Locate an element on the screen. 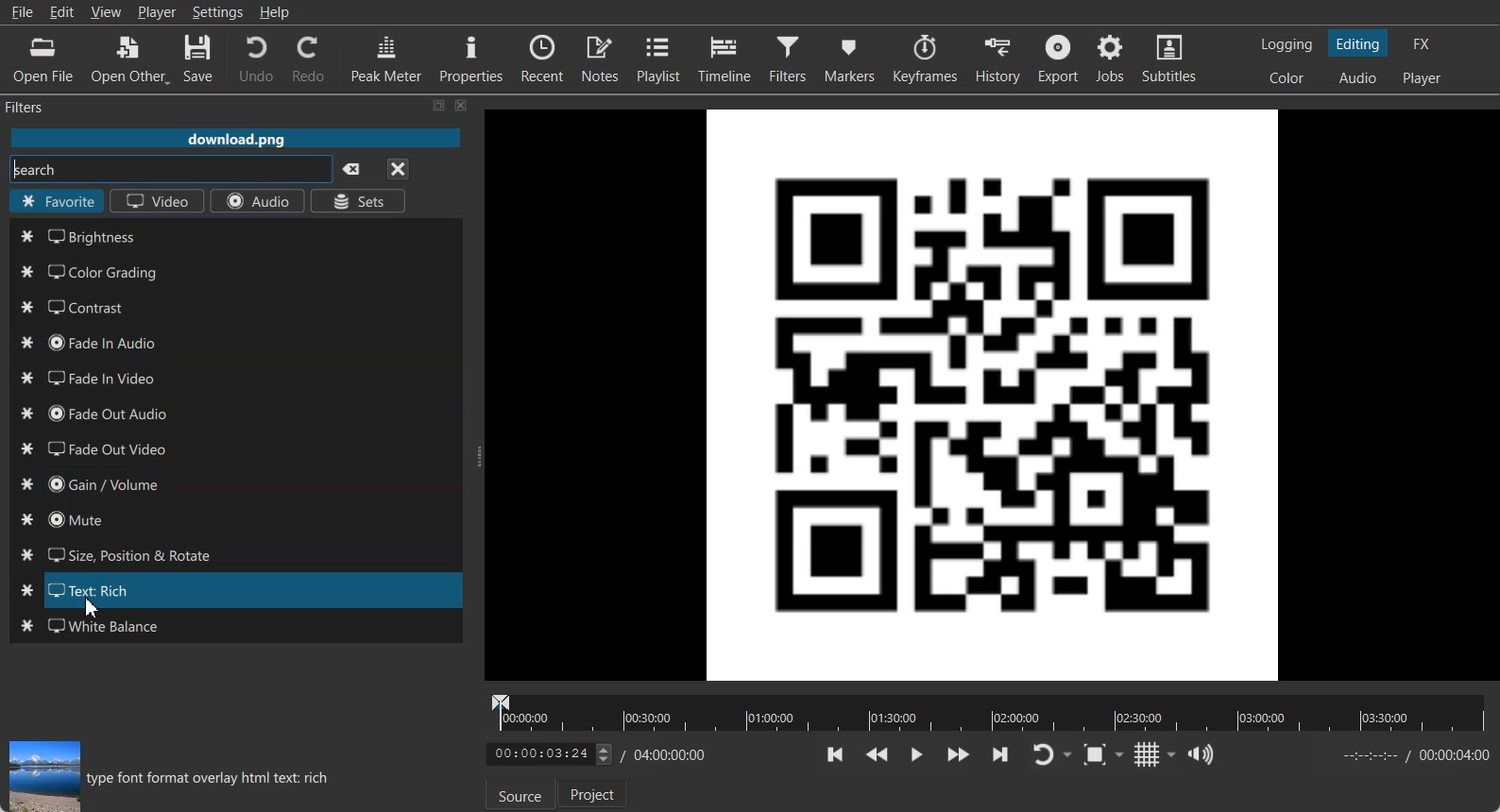 The image size is (1500, 812). Drop down box is located at coordinates (1069, 755).